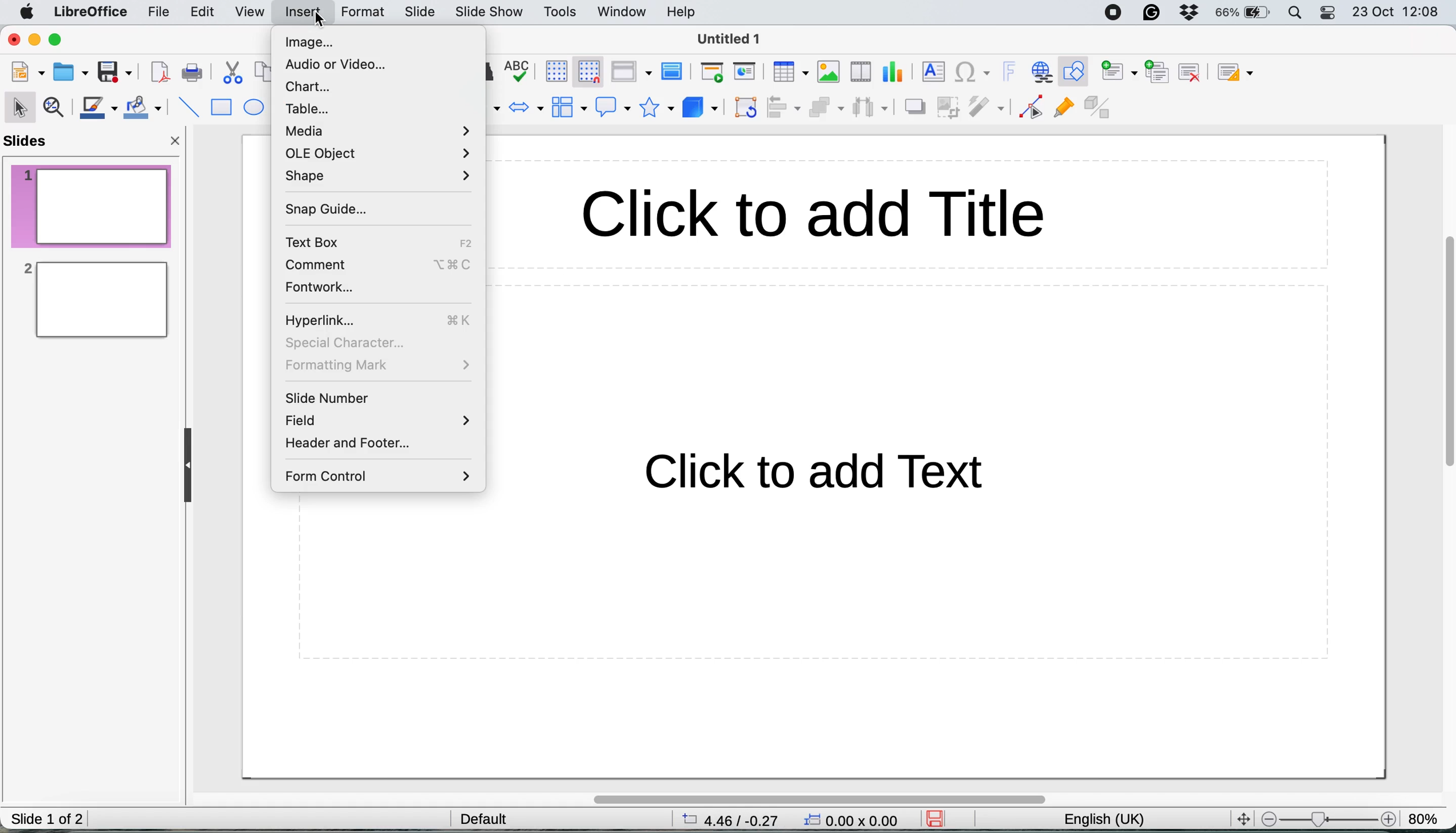 The height and width of the screenshot is (833, 1456). I want to click on block arrows, so click(526, 109).